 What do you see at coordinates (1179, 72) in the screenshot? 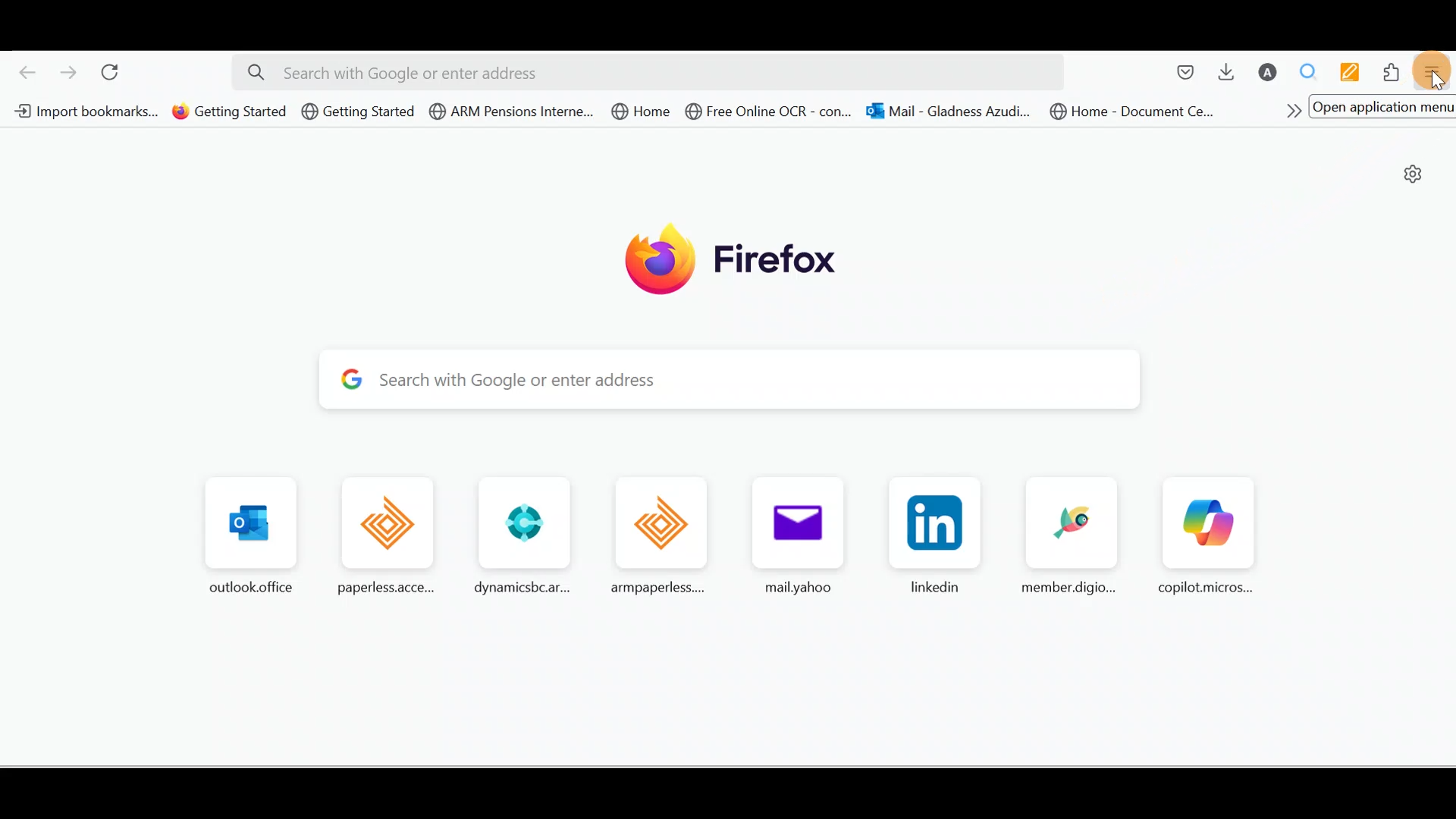
I see `Save to pocket` at bounding box center [1179, 72].